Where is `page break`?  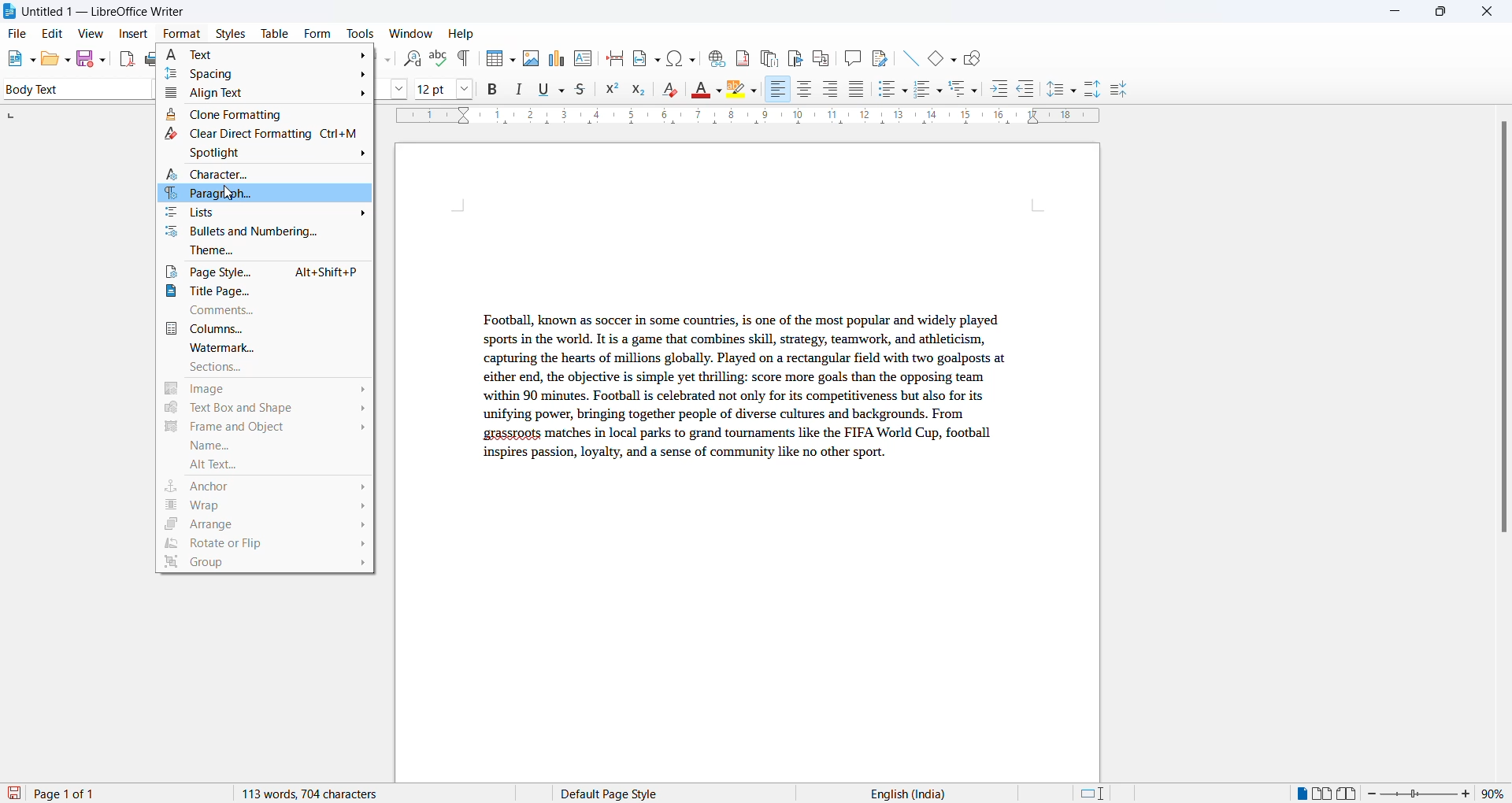 page break is located at coordinates (615, 57).